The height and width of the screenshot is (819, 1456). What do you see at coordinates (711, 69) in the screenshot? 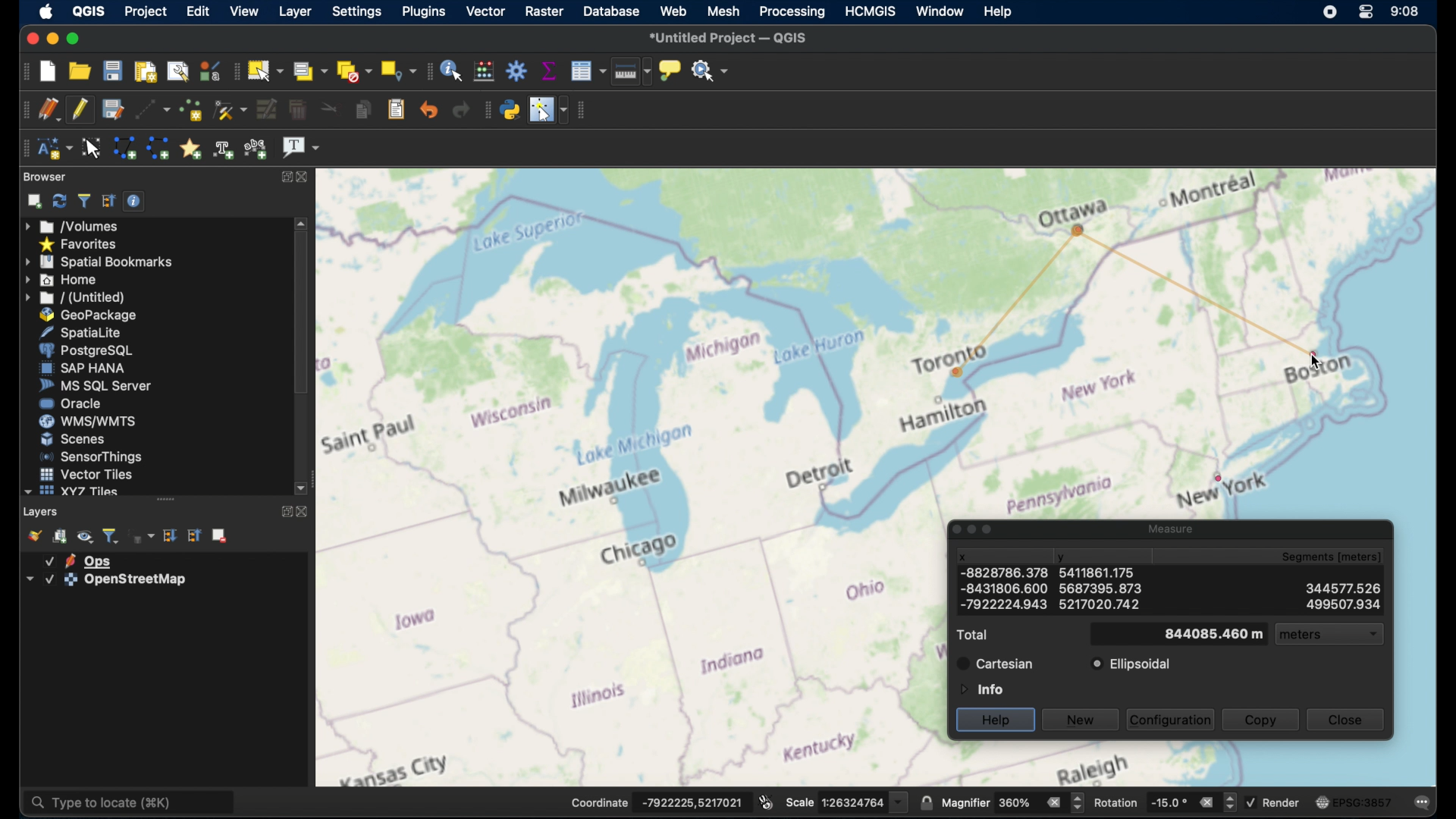
I see `no action selected` at bounding box center [711, 69].